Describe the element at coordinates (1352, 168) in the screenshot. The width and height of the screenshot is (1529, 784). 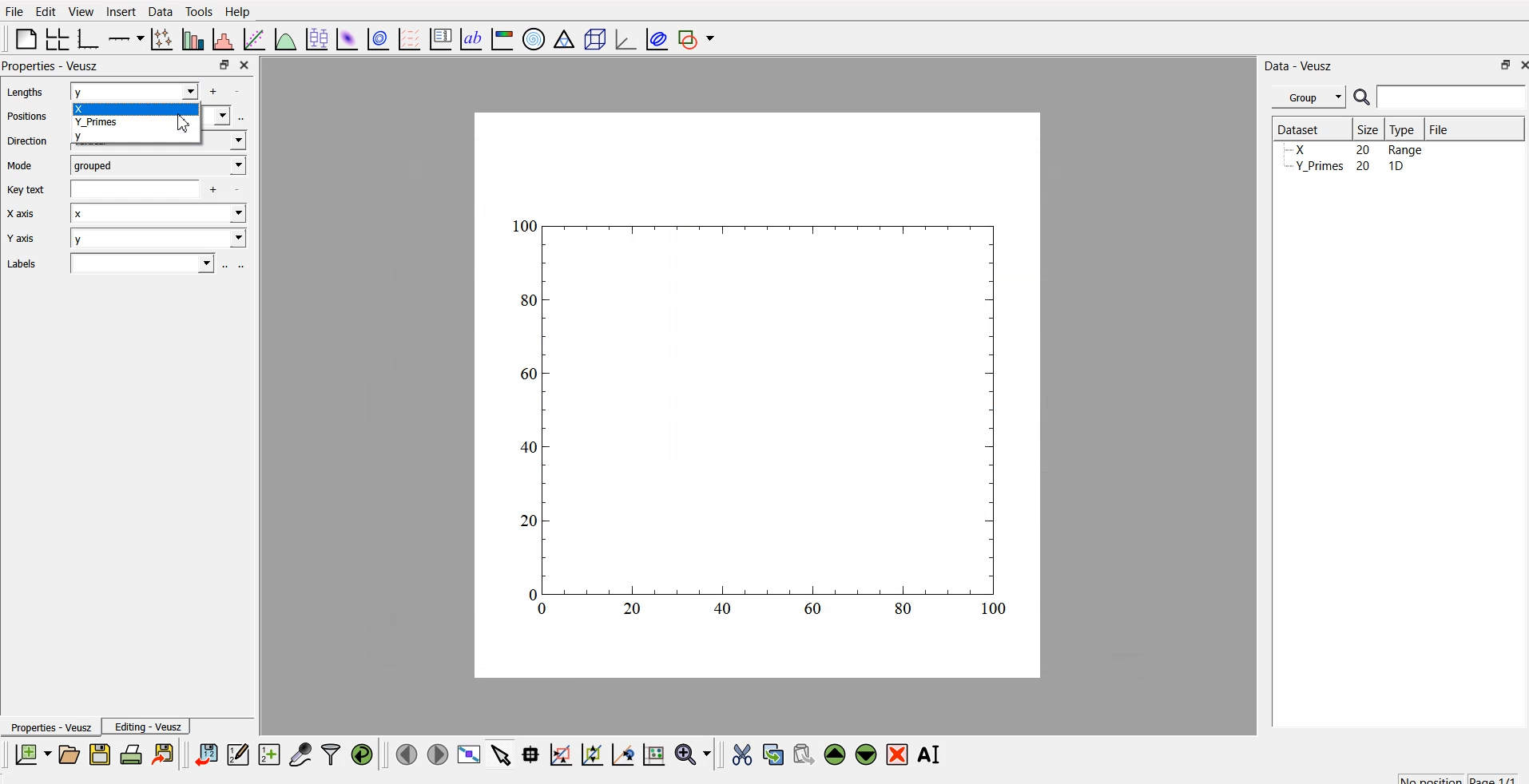
I see `y planes... 20 10` at that location.